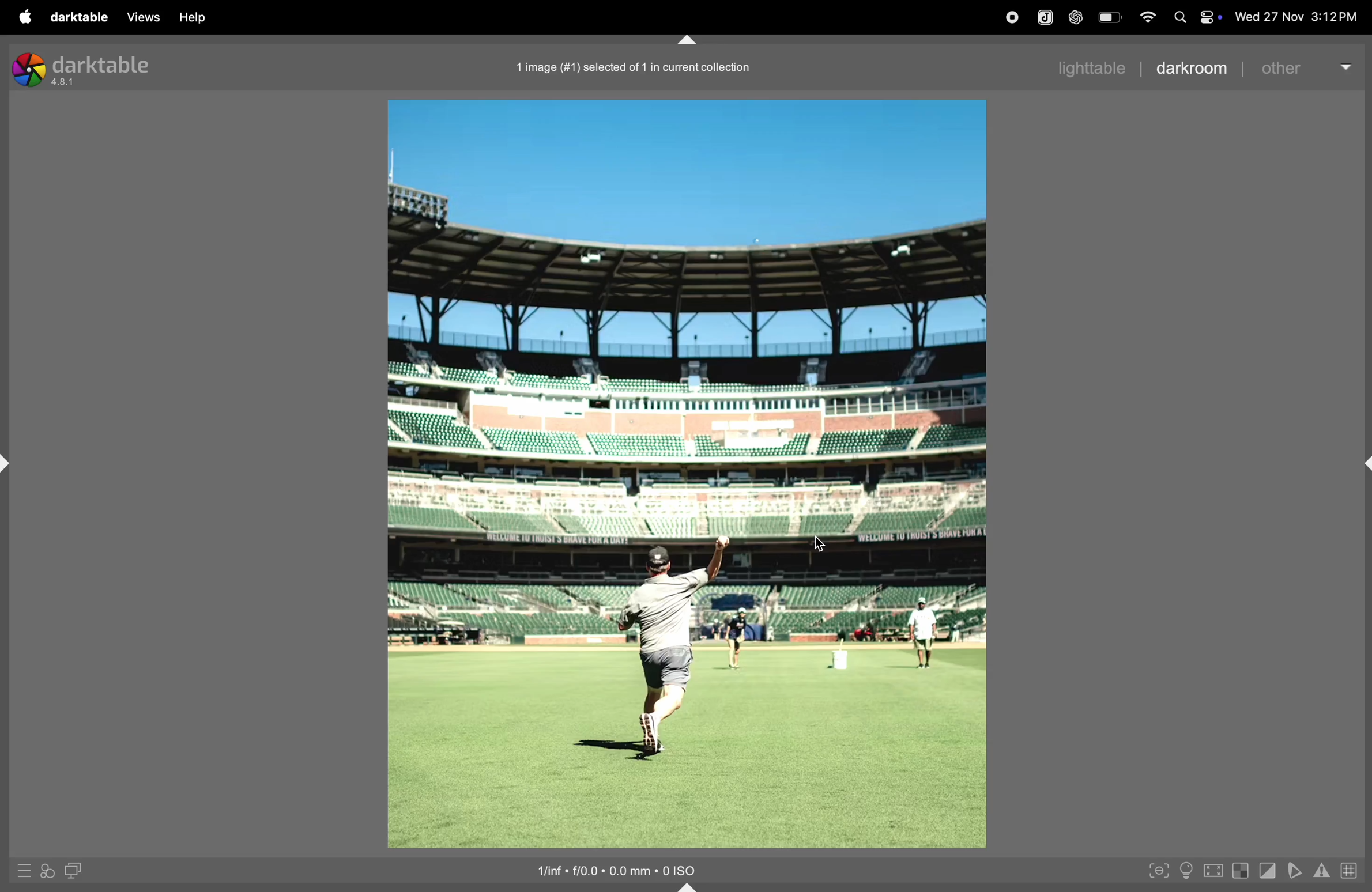 Image resolution: width=1372 pixels, height=892 pixels. Describe the element at coordinates (1363, 462) in the screenshot. I see `shift+ctrl+r` at that location.